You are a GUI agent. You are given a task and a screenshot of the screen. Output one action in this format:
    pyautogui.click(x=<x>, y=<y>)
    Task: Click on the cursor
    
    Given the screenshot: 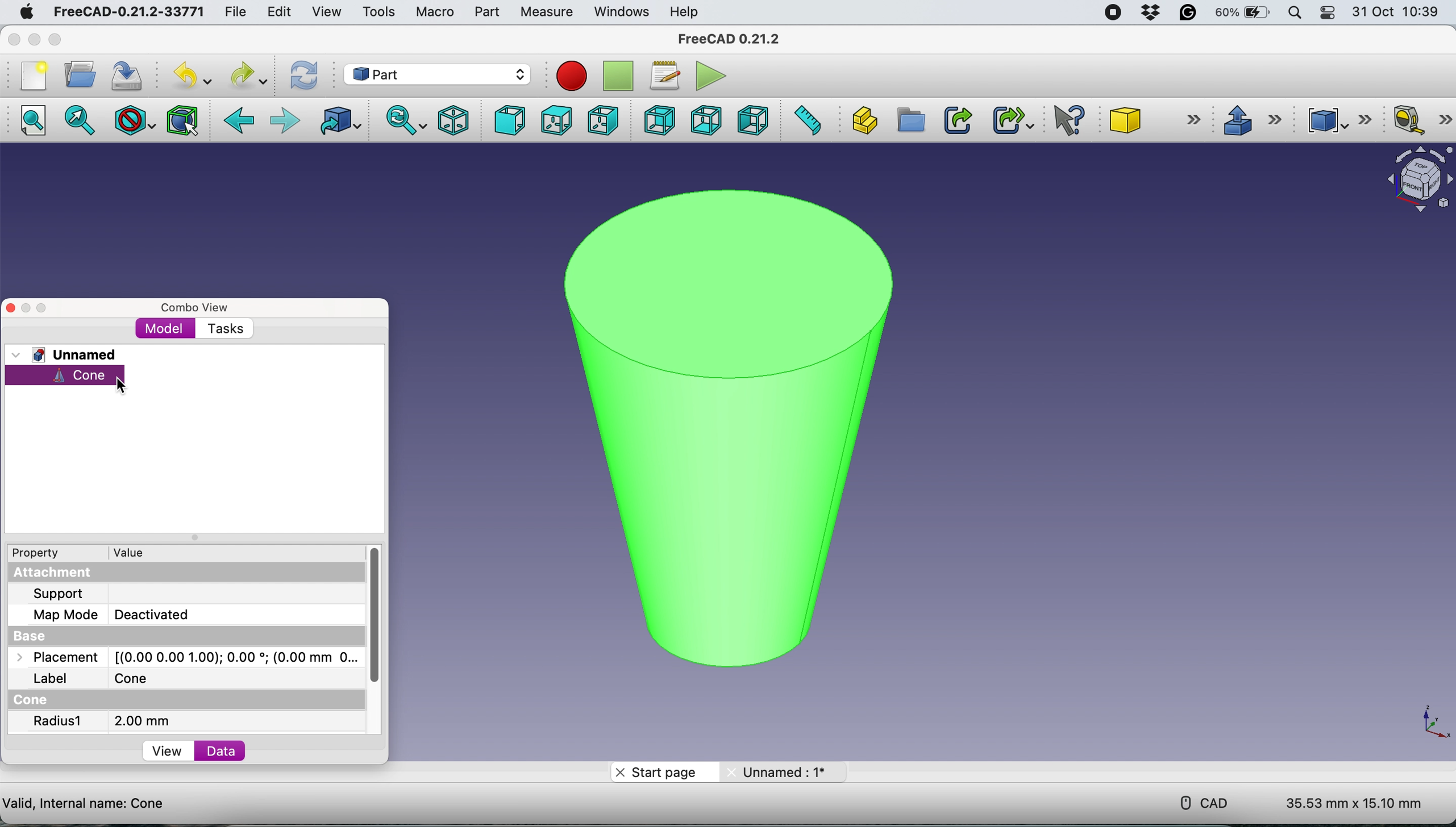 What is the action you would take?
    pyautogui.click(x=122, y=385)
    